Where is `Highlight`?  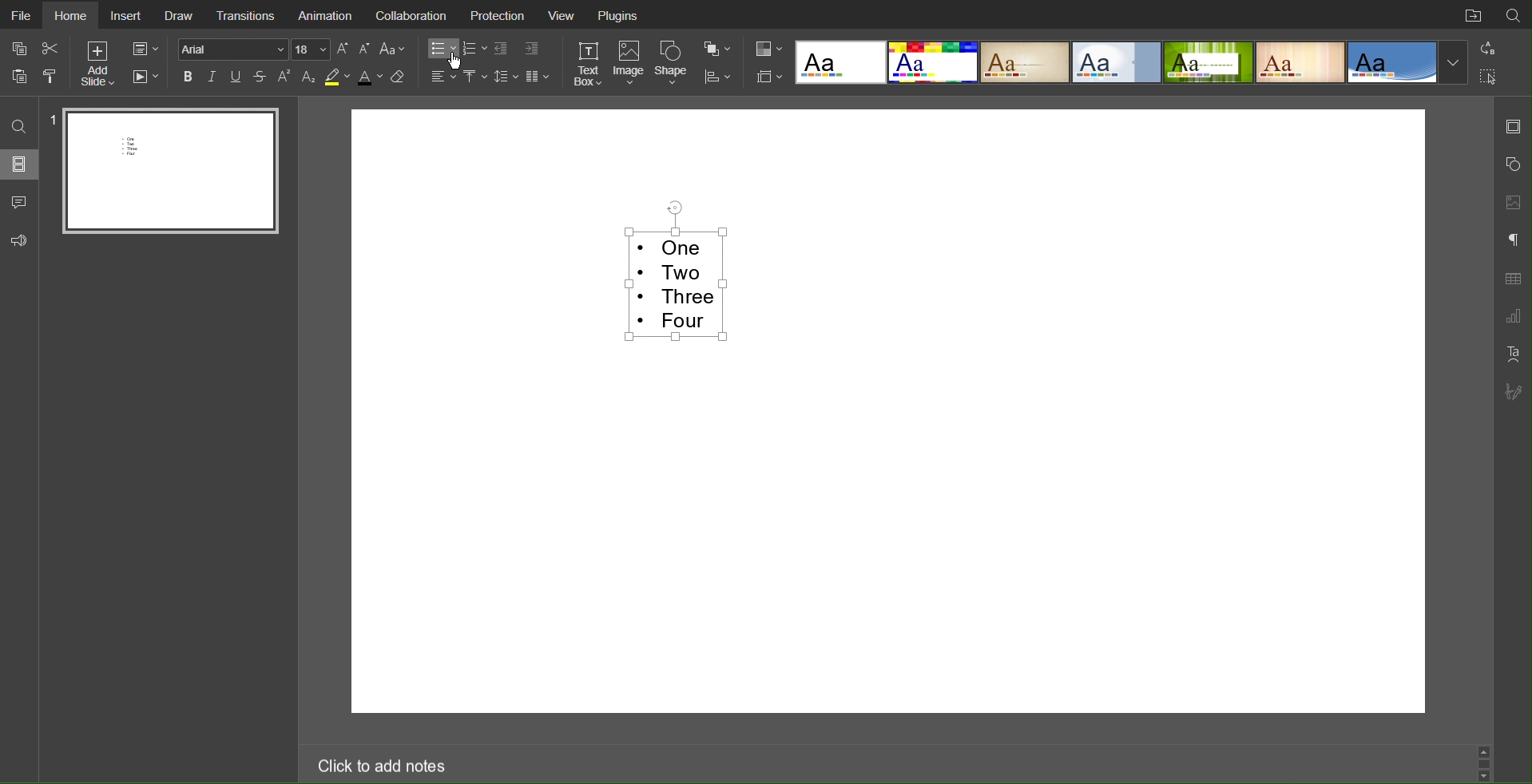 Highlight is located at coordinates (338, 77).